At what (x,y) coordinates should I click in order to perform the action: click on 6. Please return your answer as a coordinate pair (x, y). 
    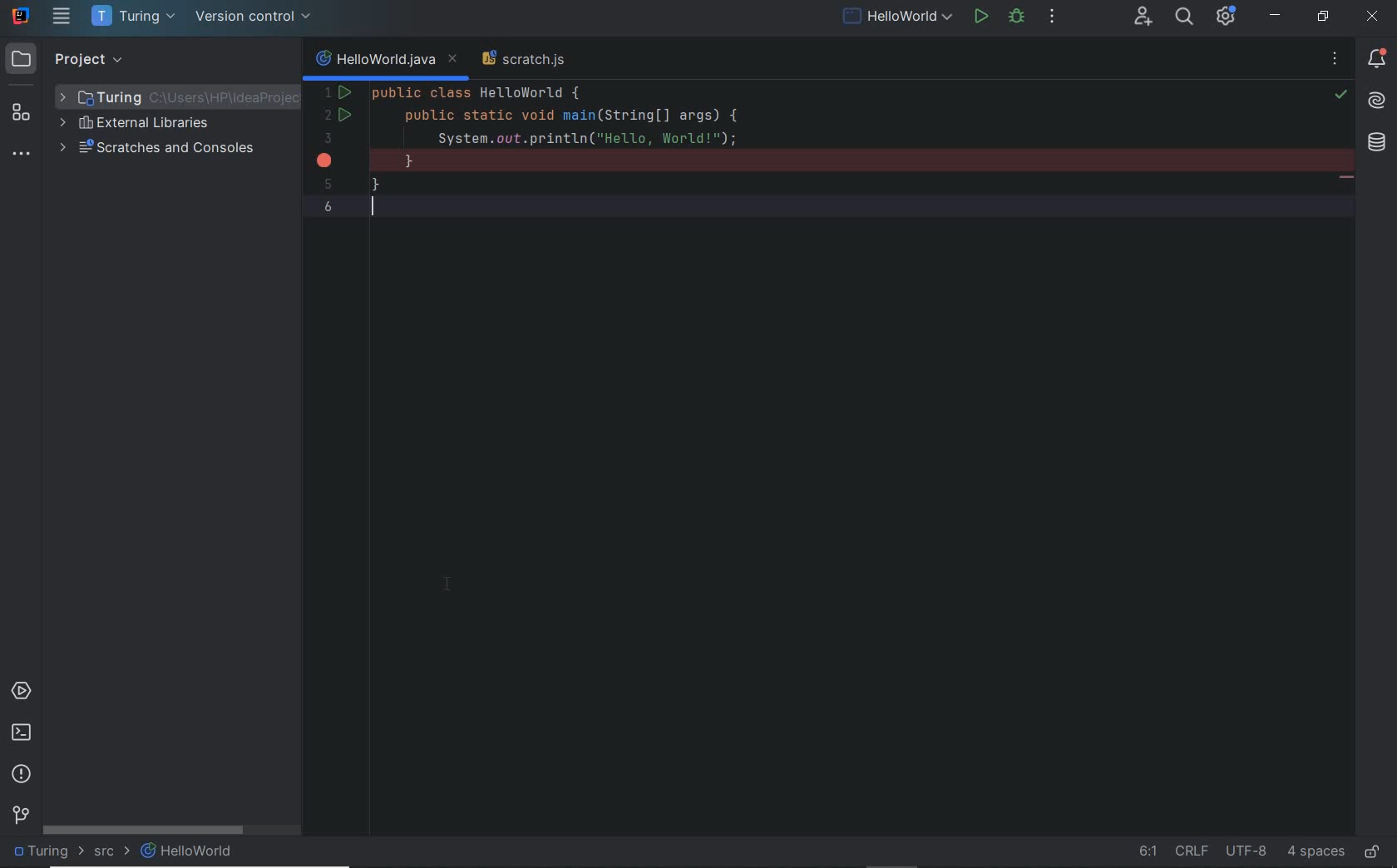
    Looking at the image, I should click on (329, 206).